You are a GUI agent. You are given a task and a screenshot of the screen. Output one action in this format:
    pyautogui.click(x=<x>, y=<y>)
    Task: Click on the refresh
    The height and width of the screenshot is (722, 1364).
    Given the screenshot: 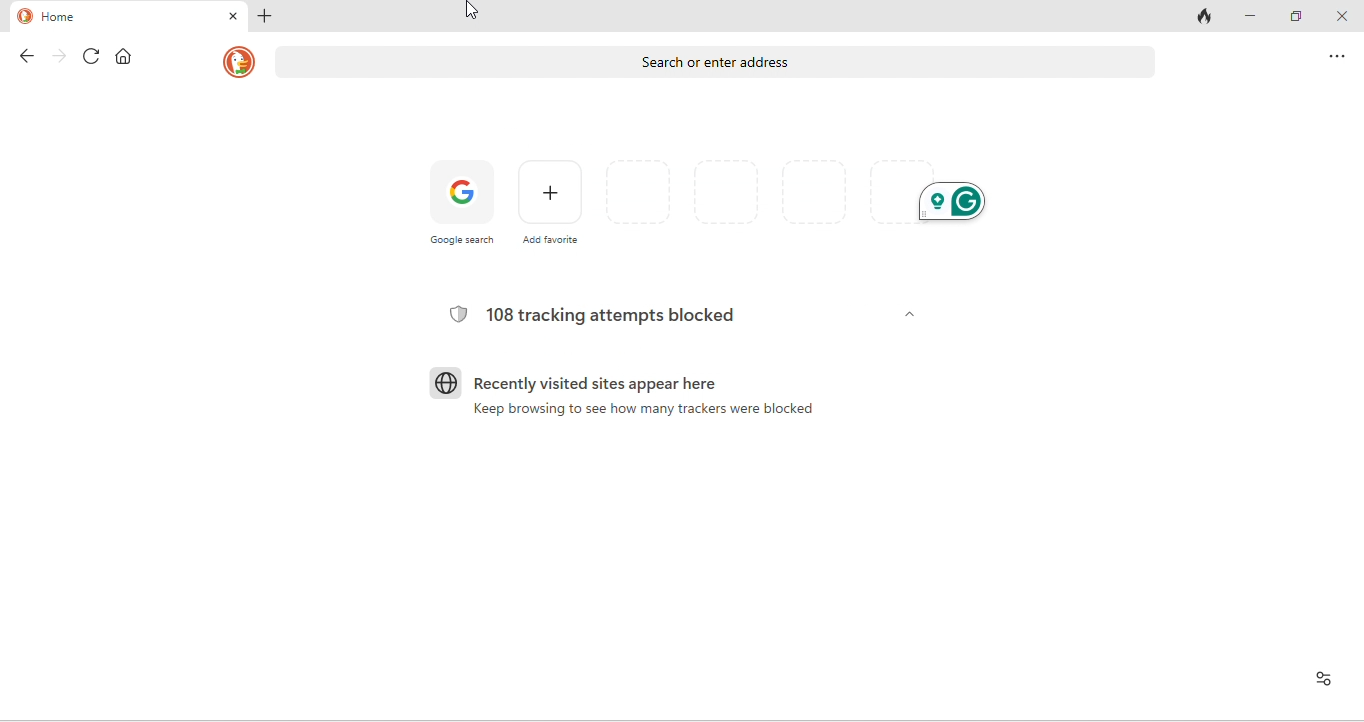 What is the action you would take?
    pyautogui.click(x=85, y=57)
    